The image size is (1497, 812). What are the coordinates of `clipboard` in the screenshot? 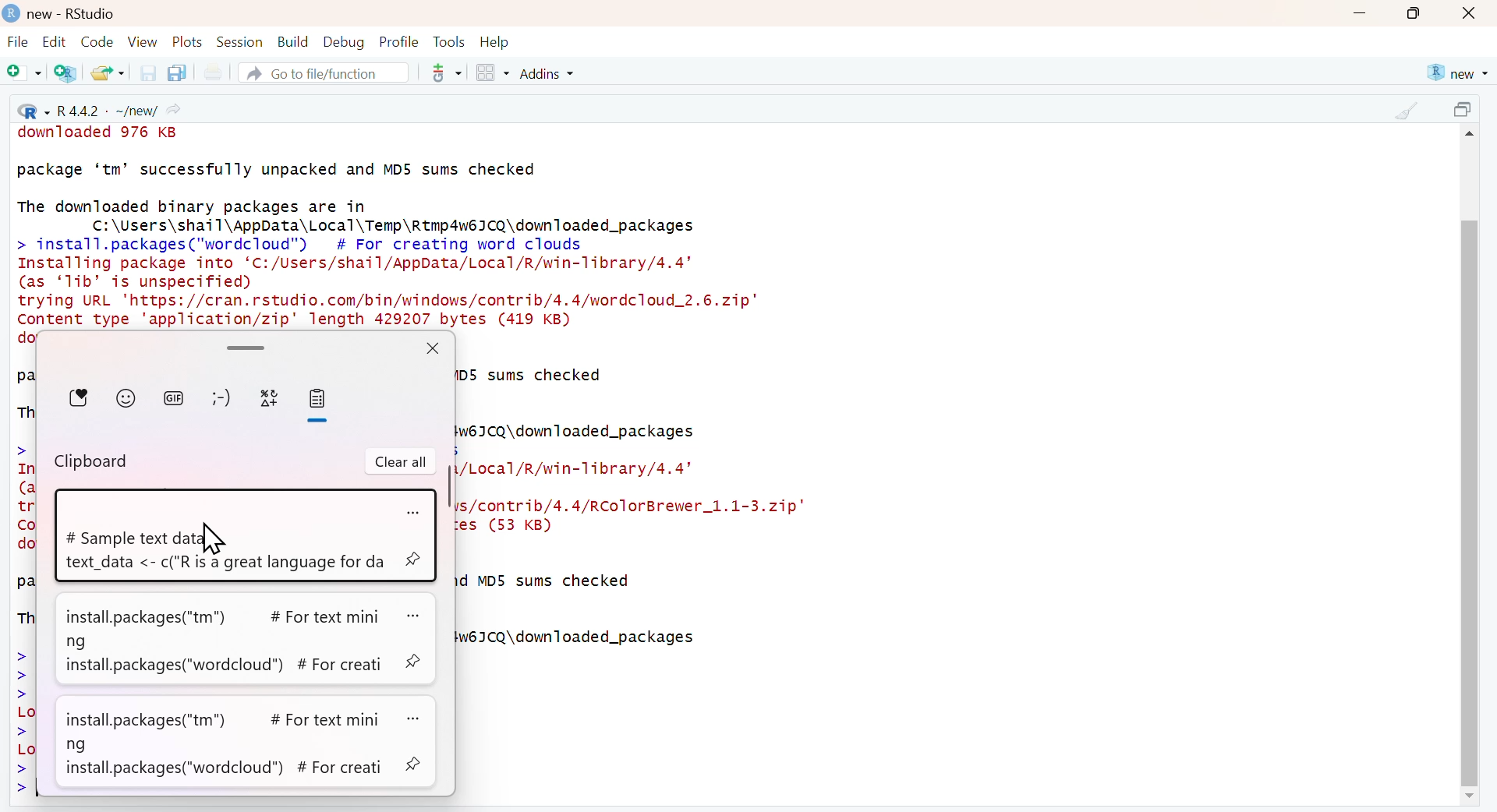 It's located at (320, 400).